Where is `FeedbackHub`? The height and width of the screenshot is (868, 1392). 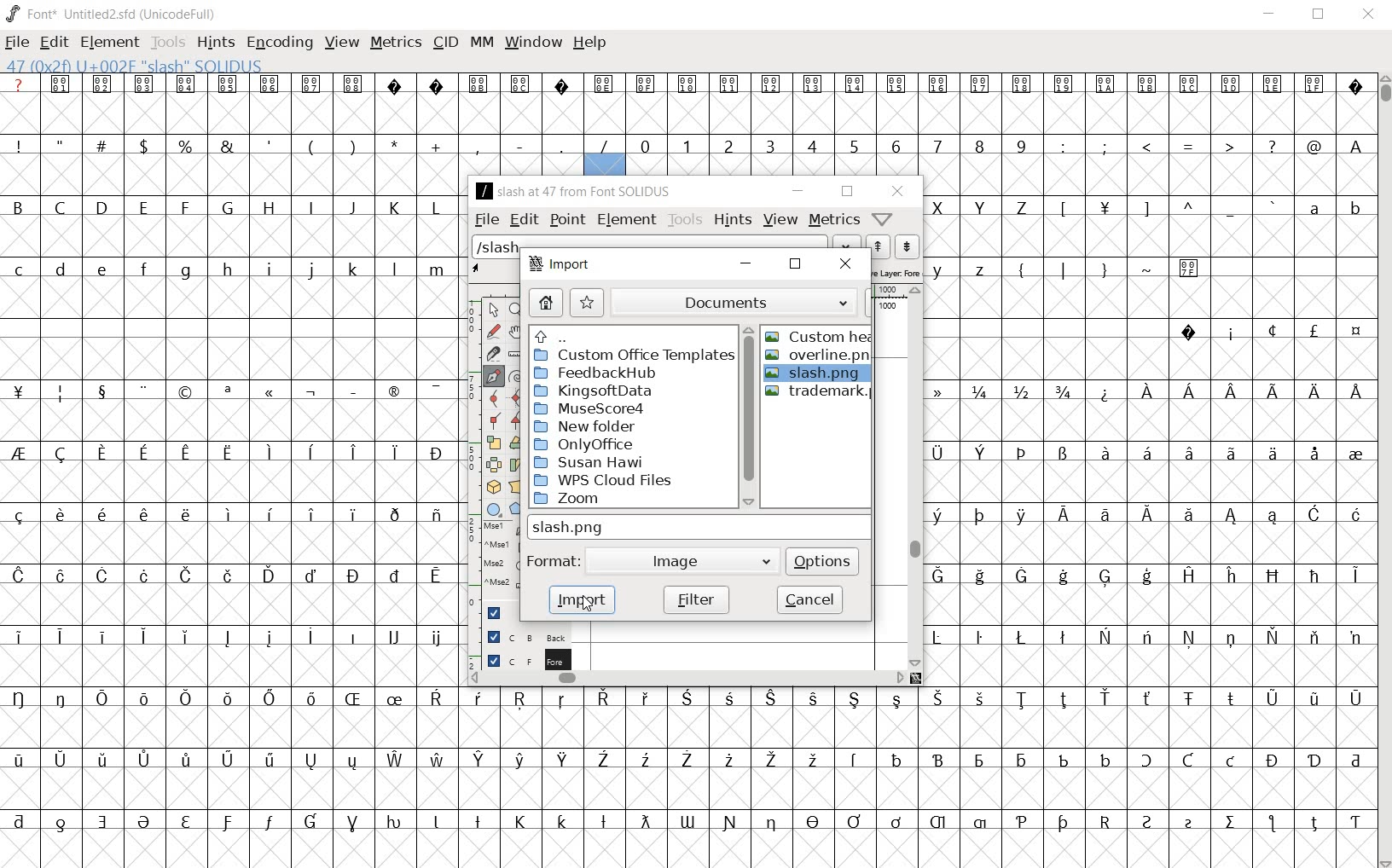 FeedbackHub is located at coordinates (599, 373).